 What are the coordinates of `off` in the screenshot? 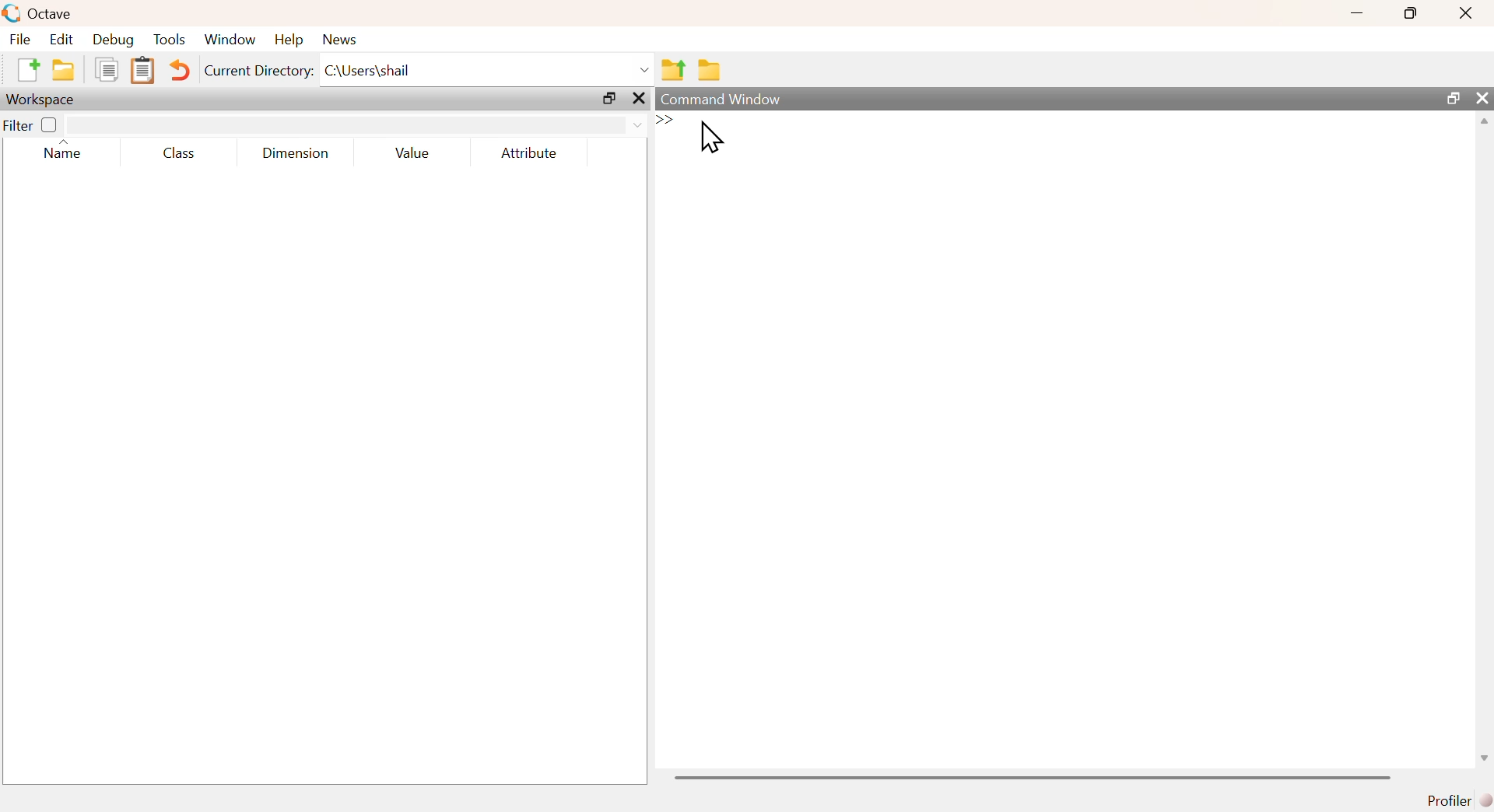 It's located at (49, 125).